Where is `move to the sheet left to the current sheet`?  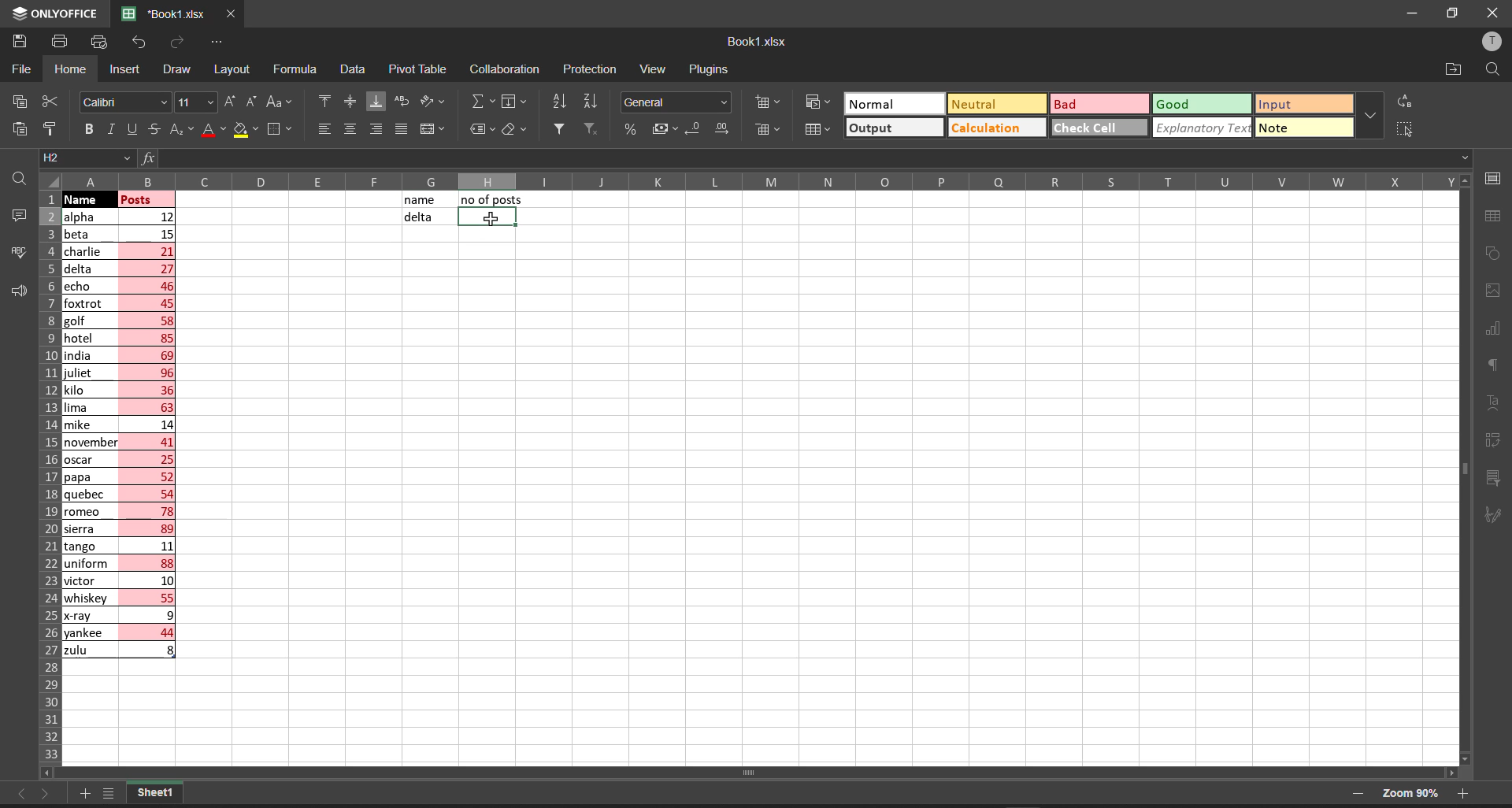 move to the sheet left to the current sheet is located at coordinates (18, 794).